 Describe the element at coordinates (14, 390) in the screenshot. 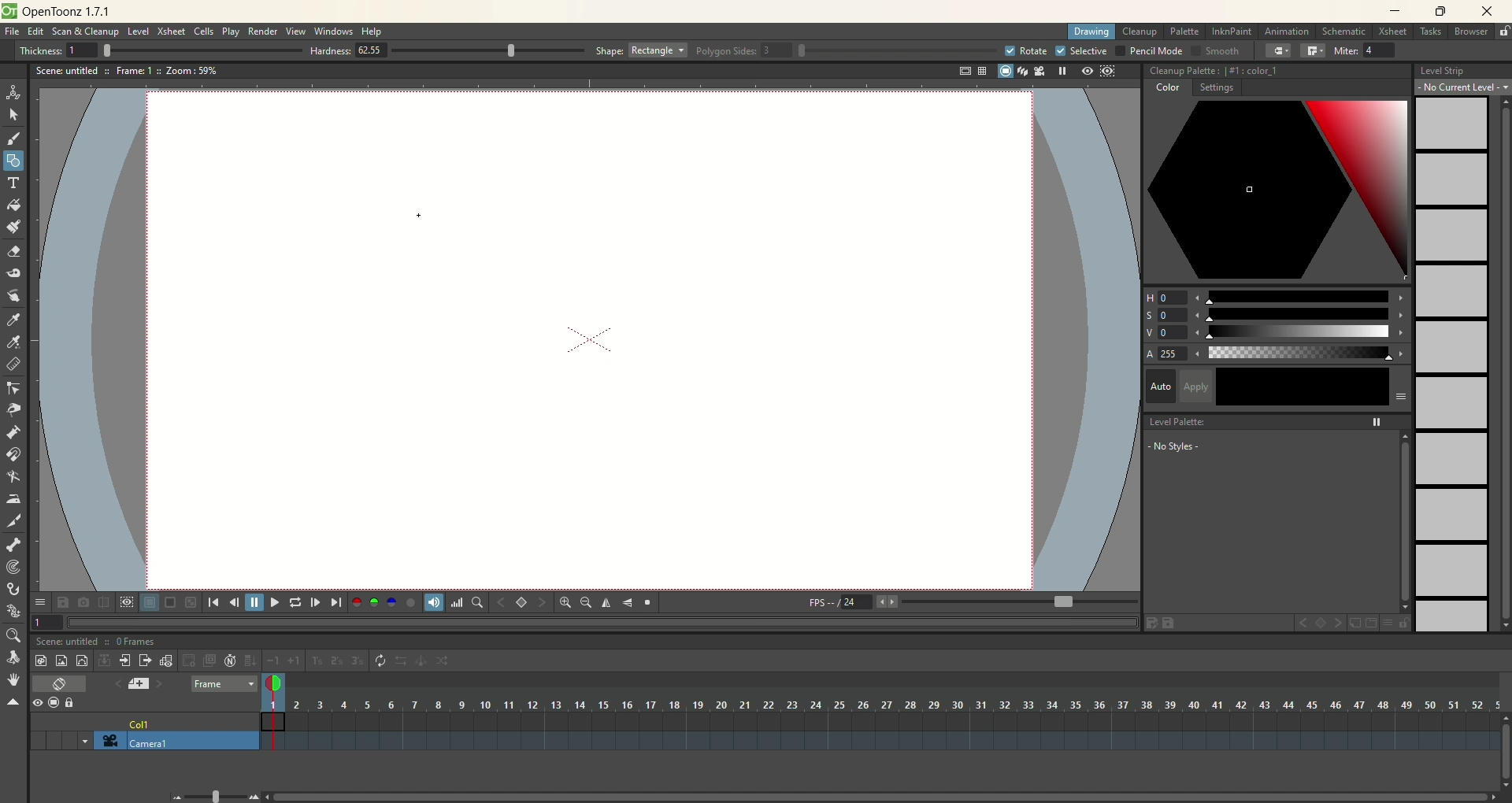

I see `control point editor` at that location.